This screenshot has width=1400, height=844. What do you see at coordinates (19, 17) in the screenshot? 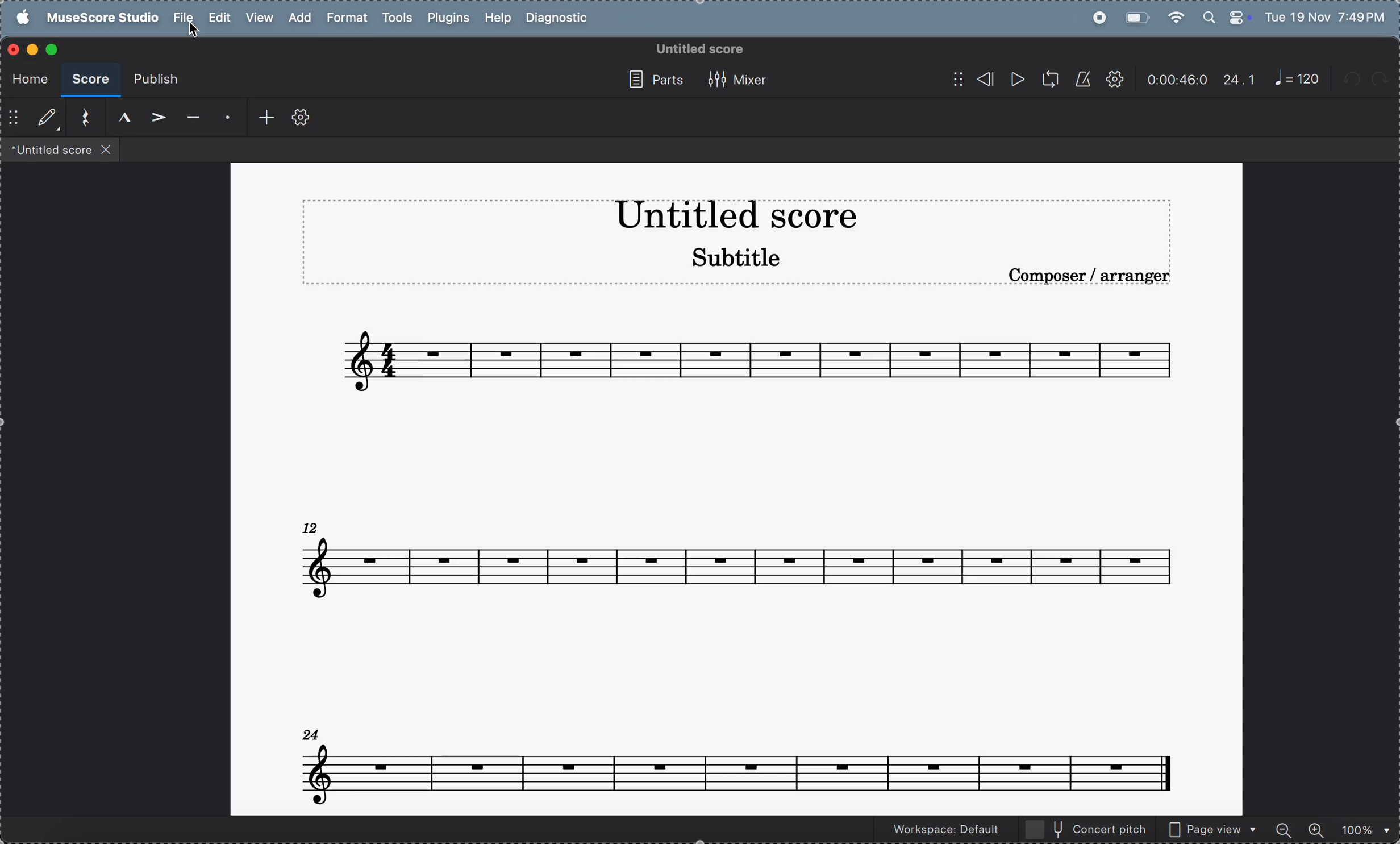
I see `apple menu` at bounding box center [19, 17].